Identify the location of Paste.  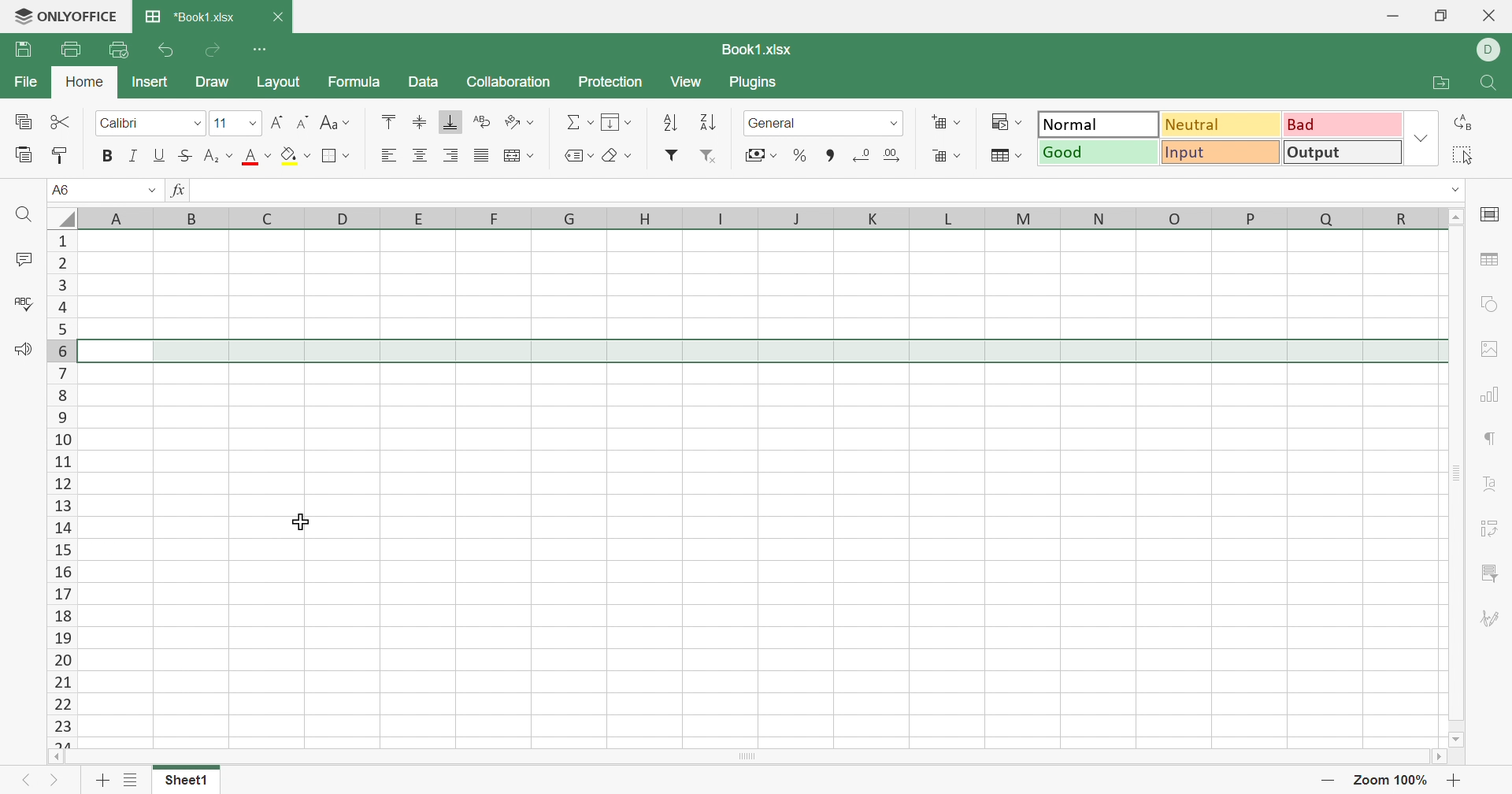
(24, 155).